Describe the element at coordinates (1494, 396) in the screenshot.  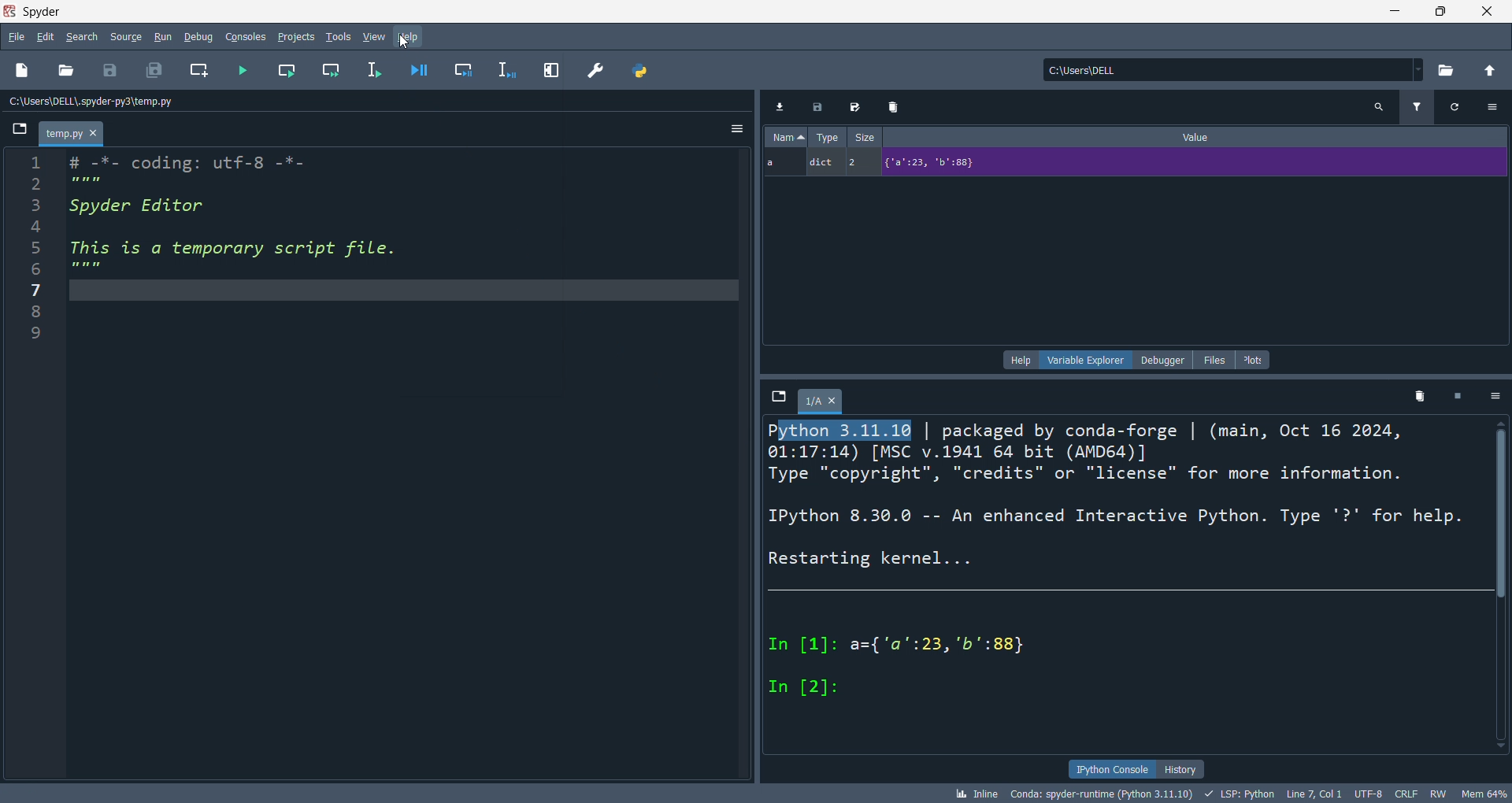
I see `Settings` at that location.